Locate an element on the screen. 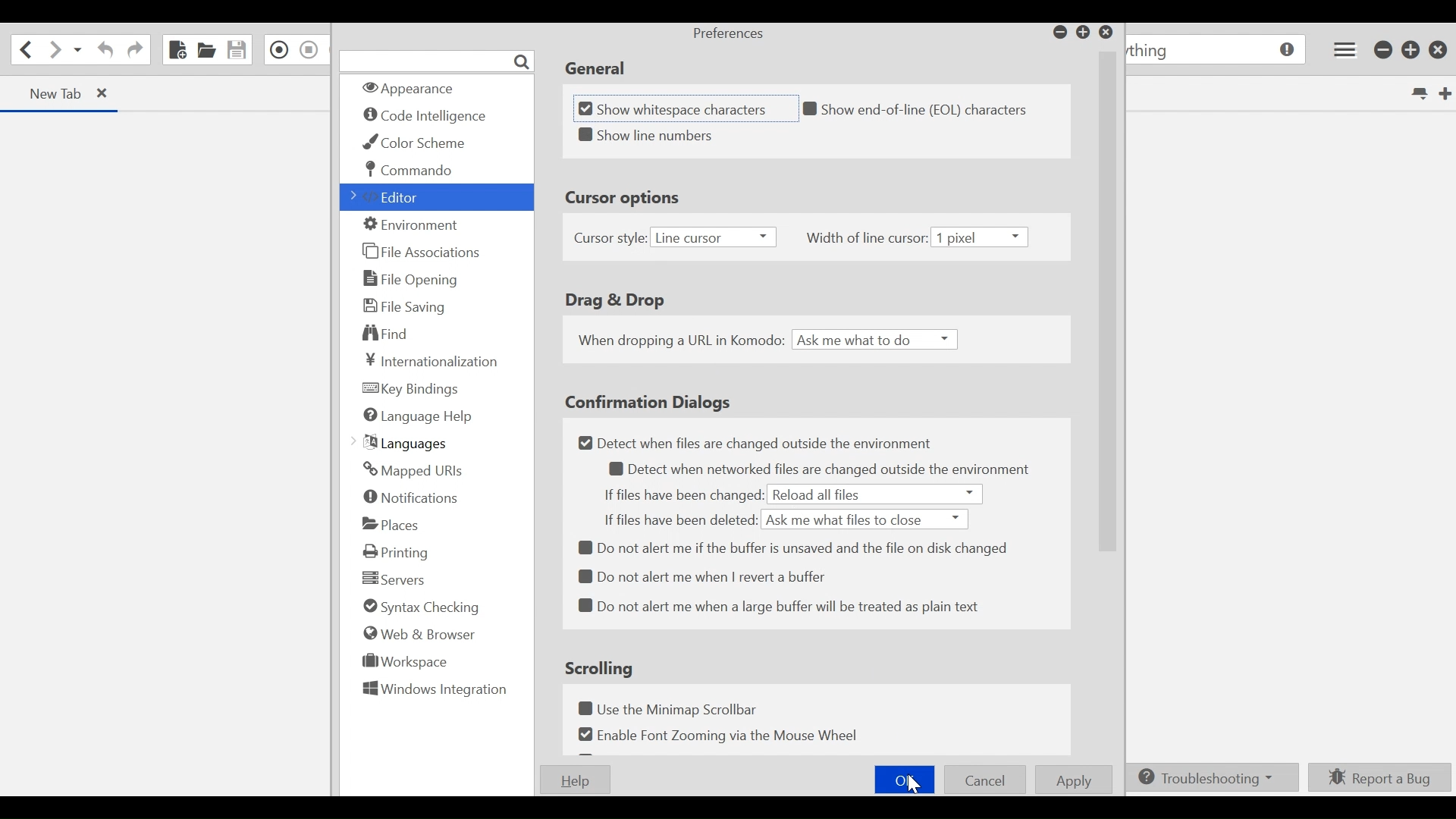  Minimize is located at coordinates (1060, 33).